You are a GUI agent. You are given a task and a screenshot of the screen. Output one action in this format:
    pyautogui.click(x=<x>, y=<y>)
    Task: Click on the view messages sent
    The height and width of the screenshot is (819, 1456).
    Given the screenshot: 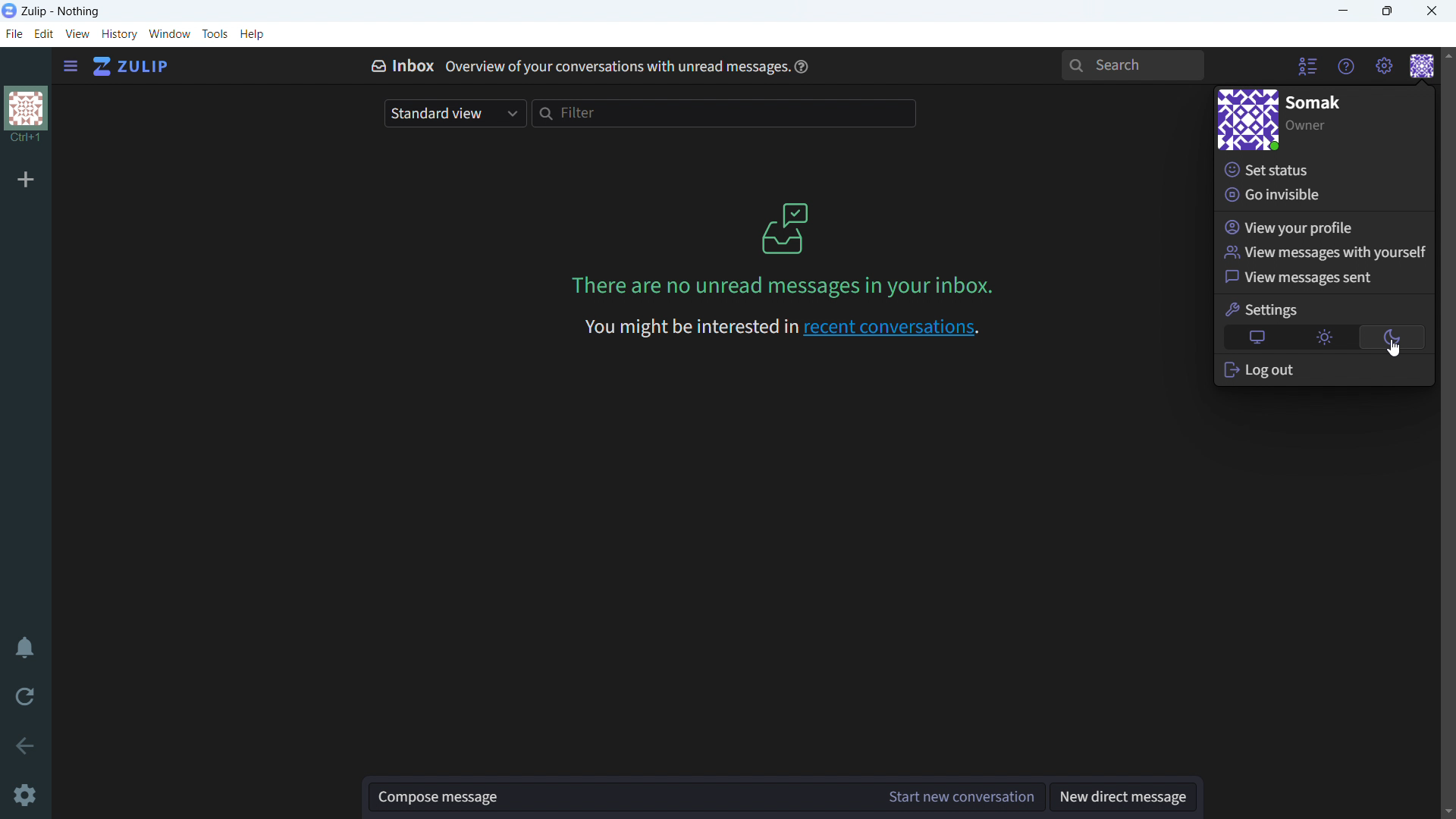 What is the action you would take?
    pyautogui.click(x=1323, y=277)
    